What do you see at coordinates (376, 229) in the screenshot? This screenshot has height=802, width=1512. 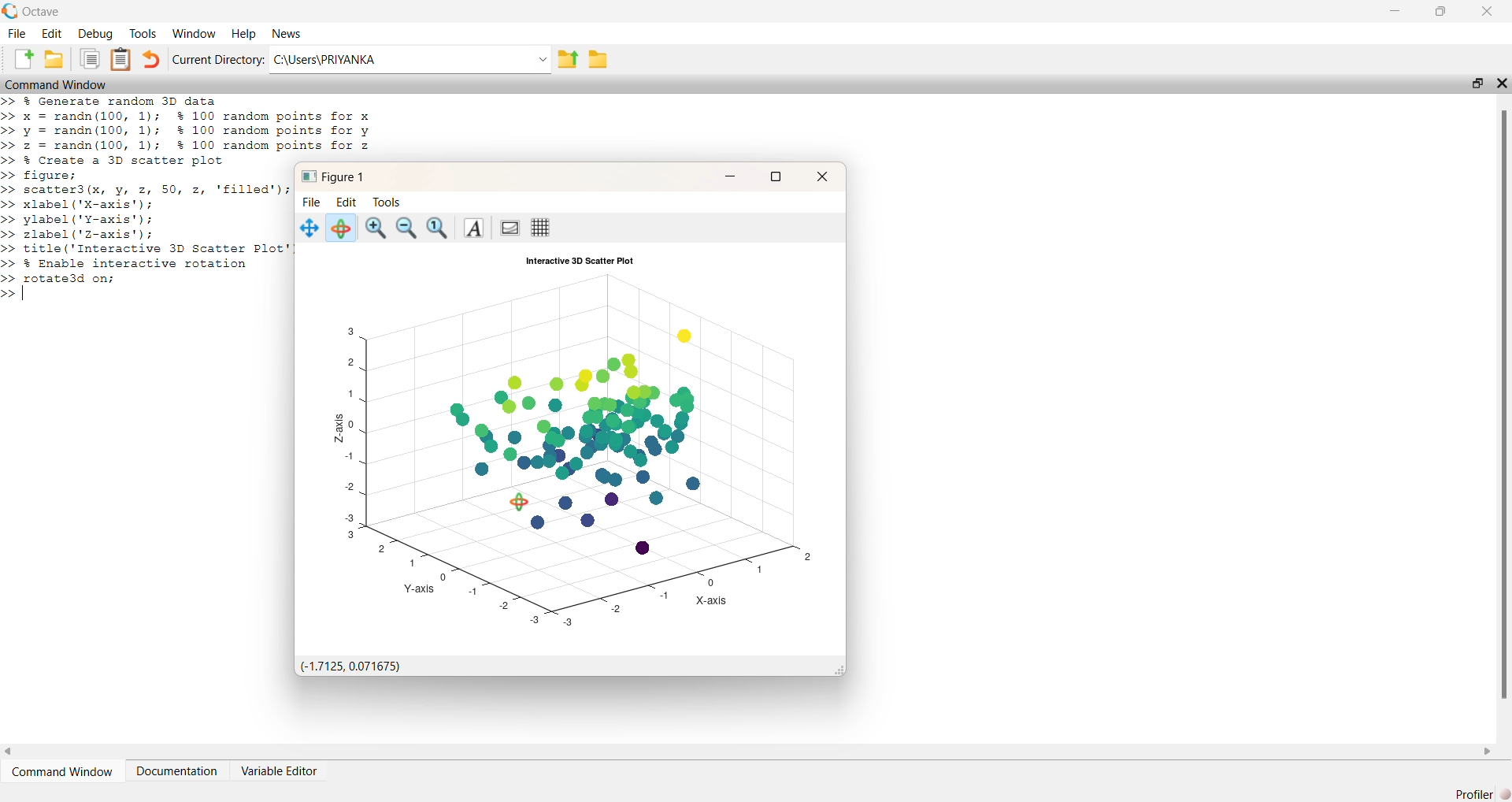 I see `zoom in` at bounding box center [376, 229].